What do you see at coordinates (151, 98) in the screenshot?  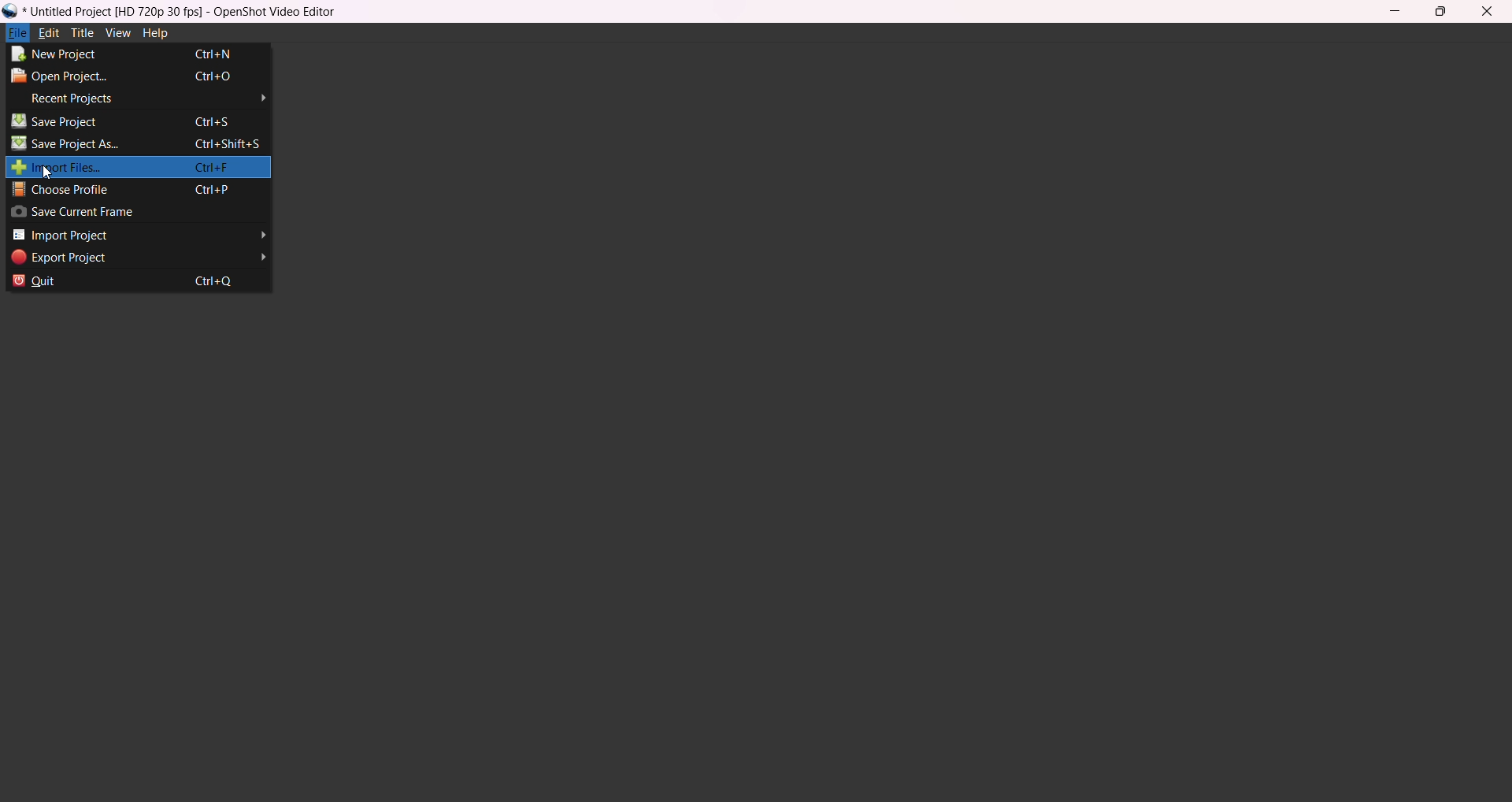 I see `recent project` at bounding box center [151, 98].